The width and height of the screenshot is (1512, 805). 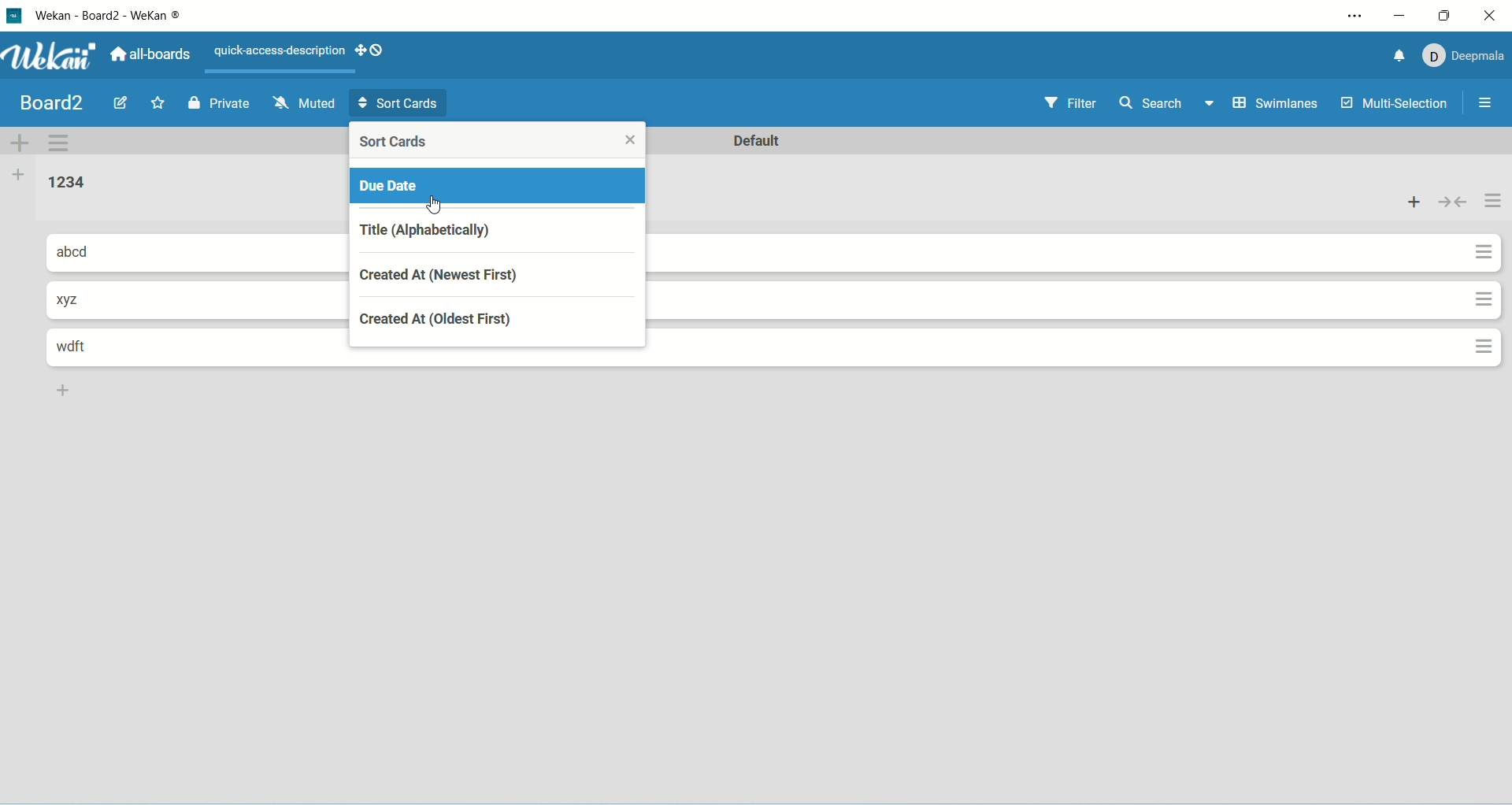 I want to click on sort cards, so click(x=498, y=141).